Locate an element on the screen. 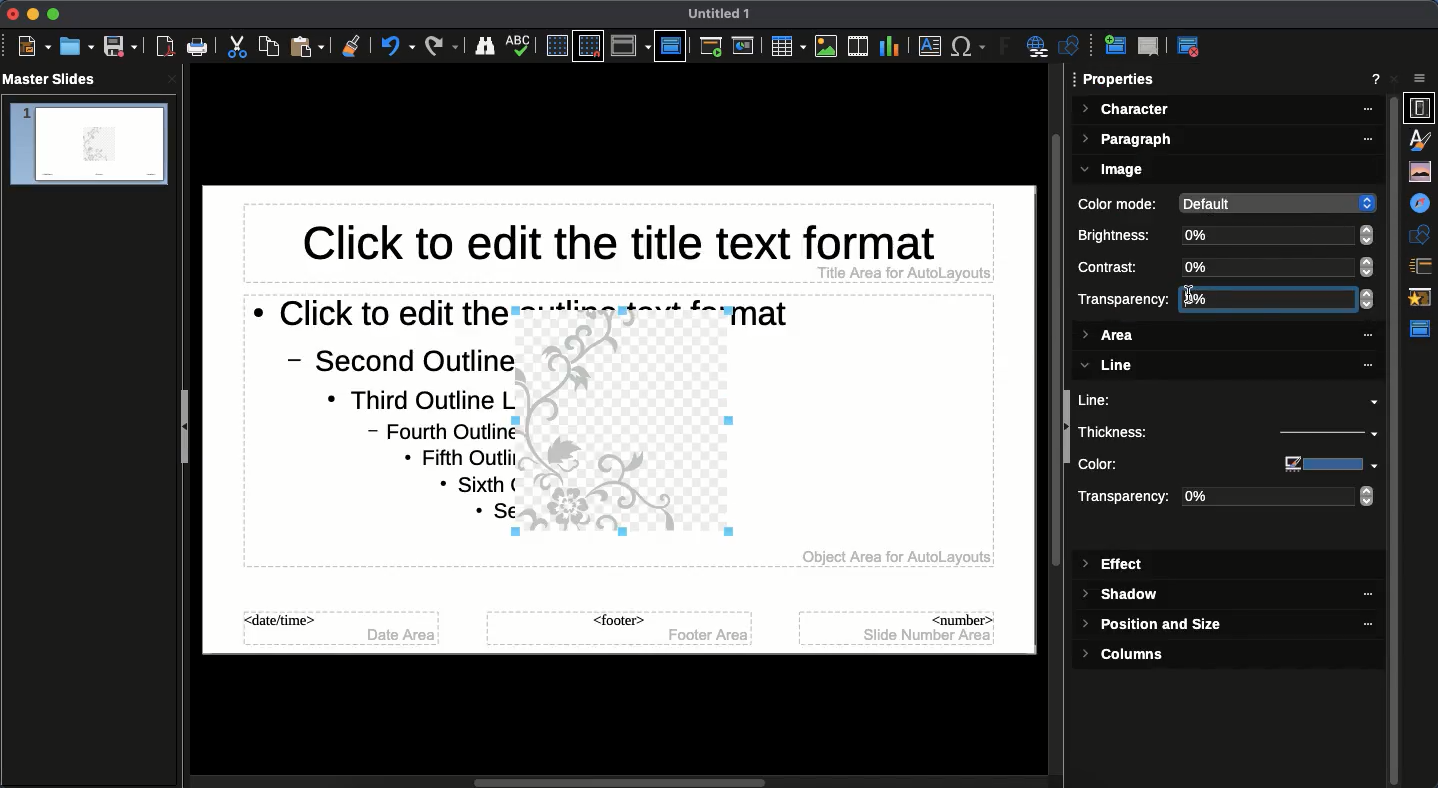 The image size is (1438, 788). Navigator is located at coordinates (1422, 204).